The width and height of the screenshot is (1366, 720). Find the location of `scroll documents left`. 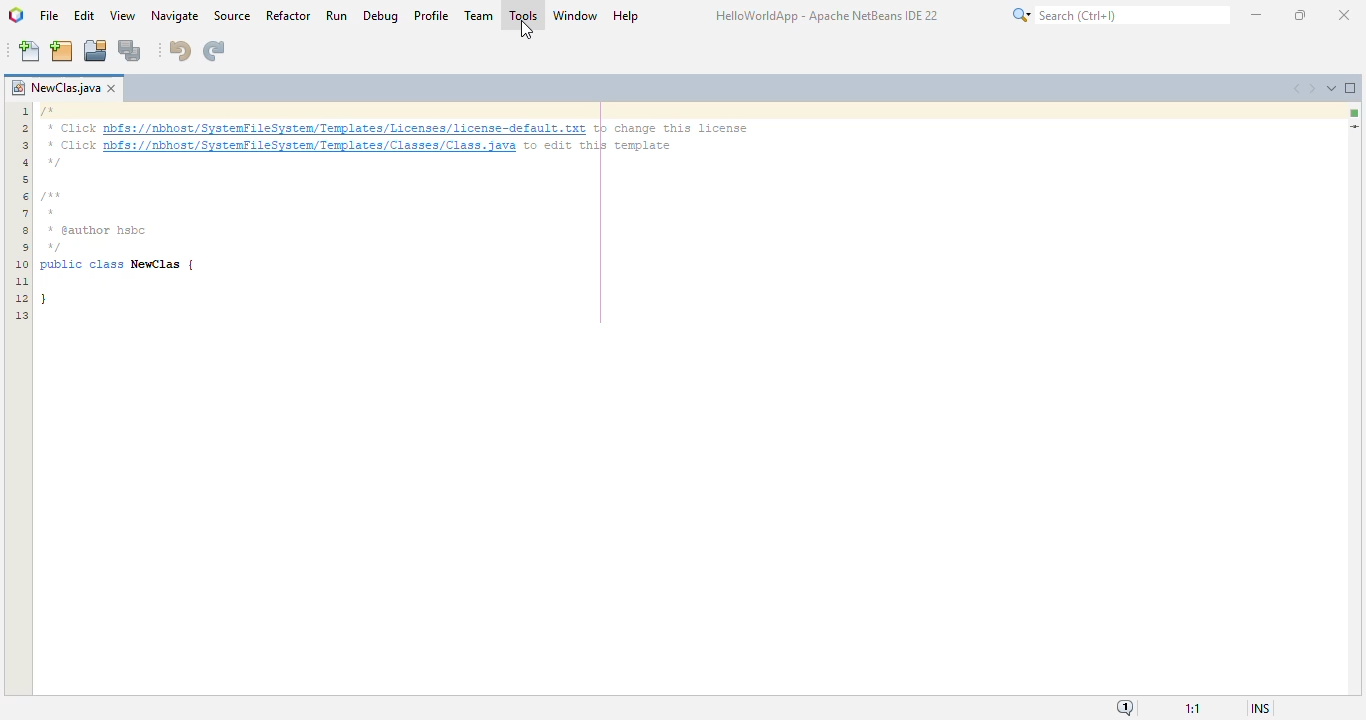

scroll documents left is located at coordinates (1299, 87).